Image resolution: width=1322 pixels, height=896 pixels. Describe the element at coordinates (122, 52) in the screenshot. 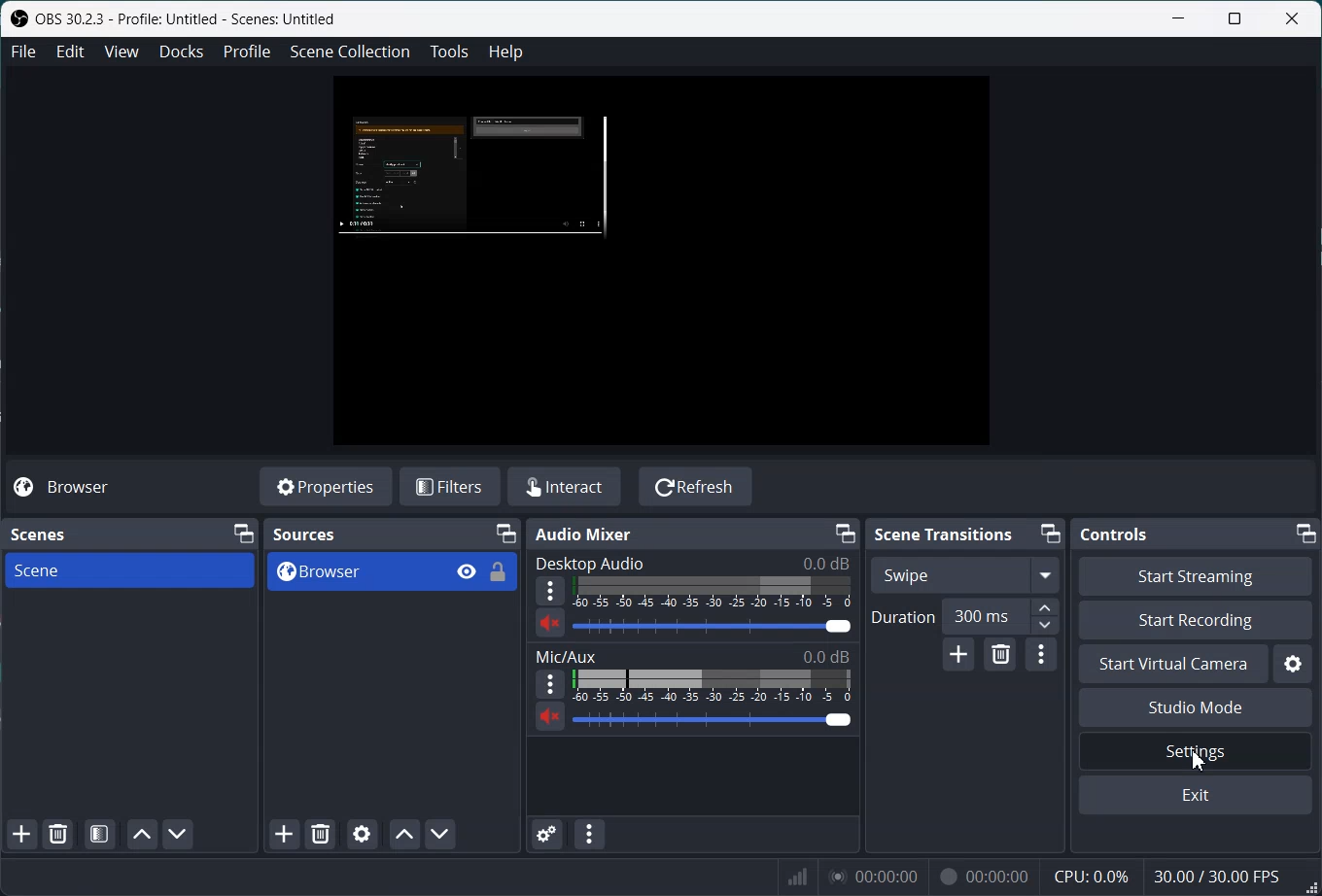

I see `View` at that location.